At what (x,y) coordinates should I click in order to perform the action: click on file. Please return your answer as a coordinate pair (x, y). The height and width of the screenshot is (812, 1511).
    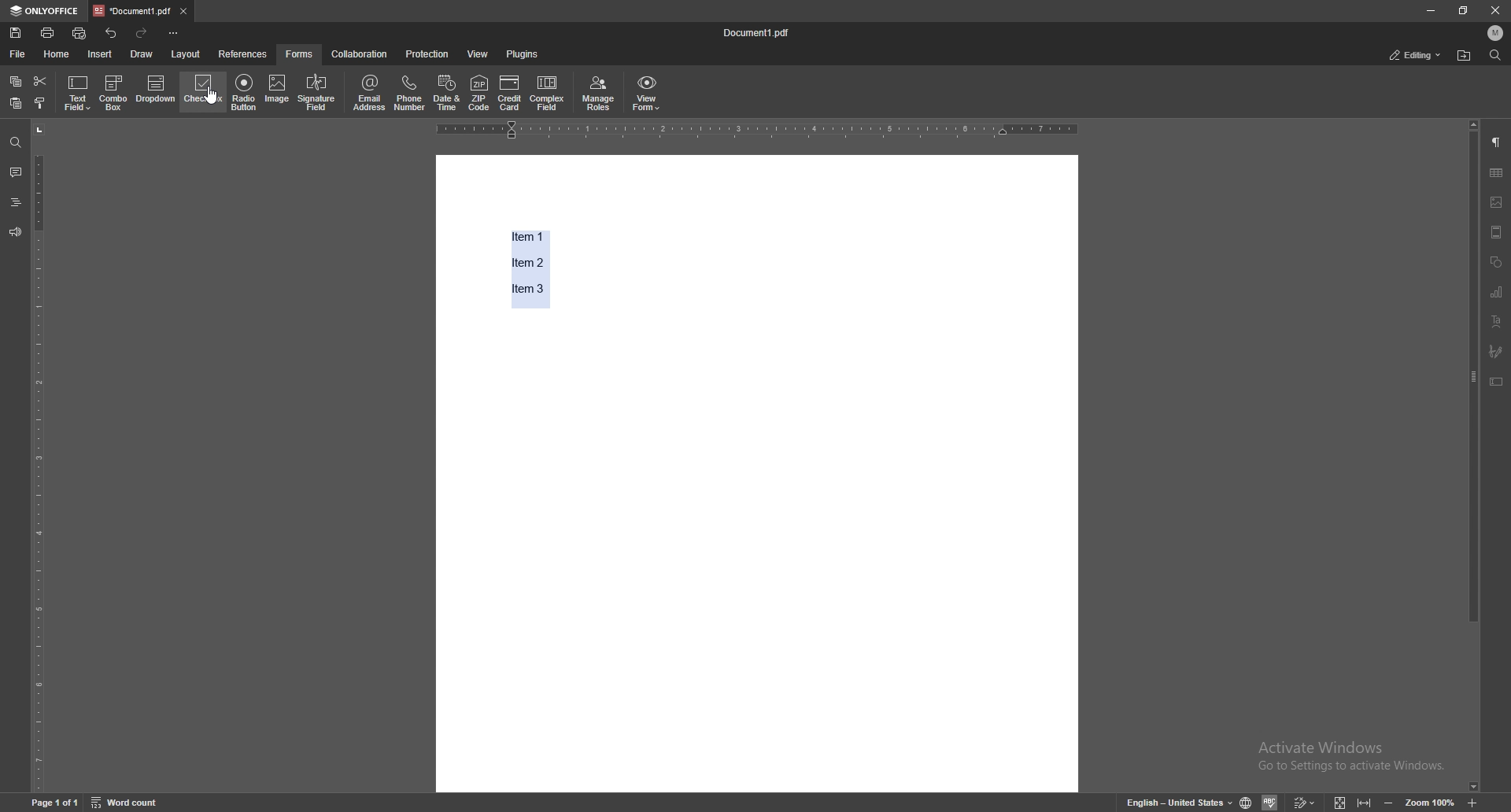
    Looking at the image, I should click on (19, 54).